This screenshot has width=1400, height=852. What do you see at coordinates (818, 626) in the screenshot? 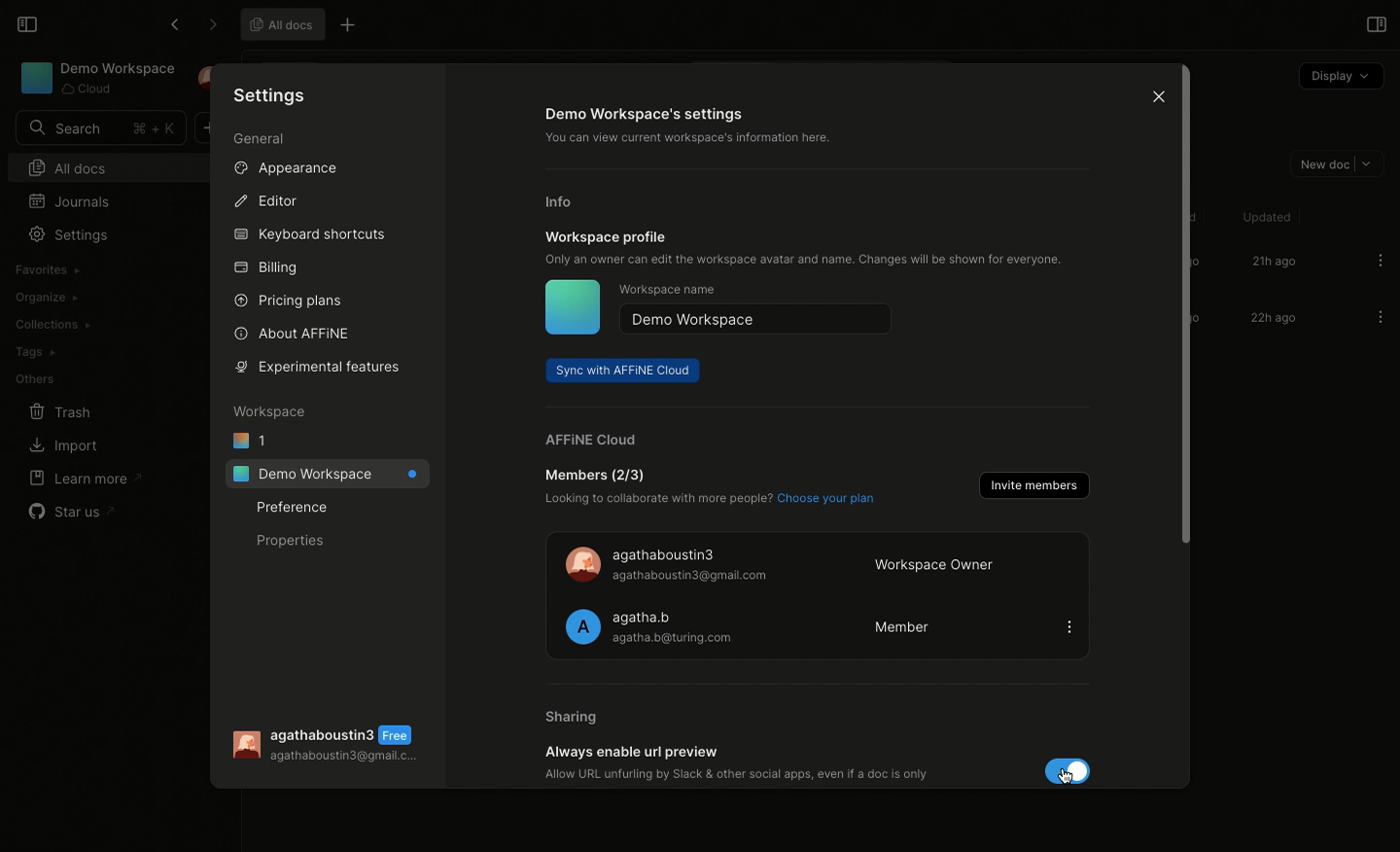
I see `Member 2` at bounding box center [818, 626].